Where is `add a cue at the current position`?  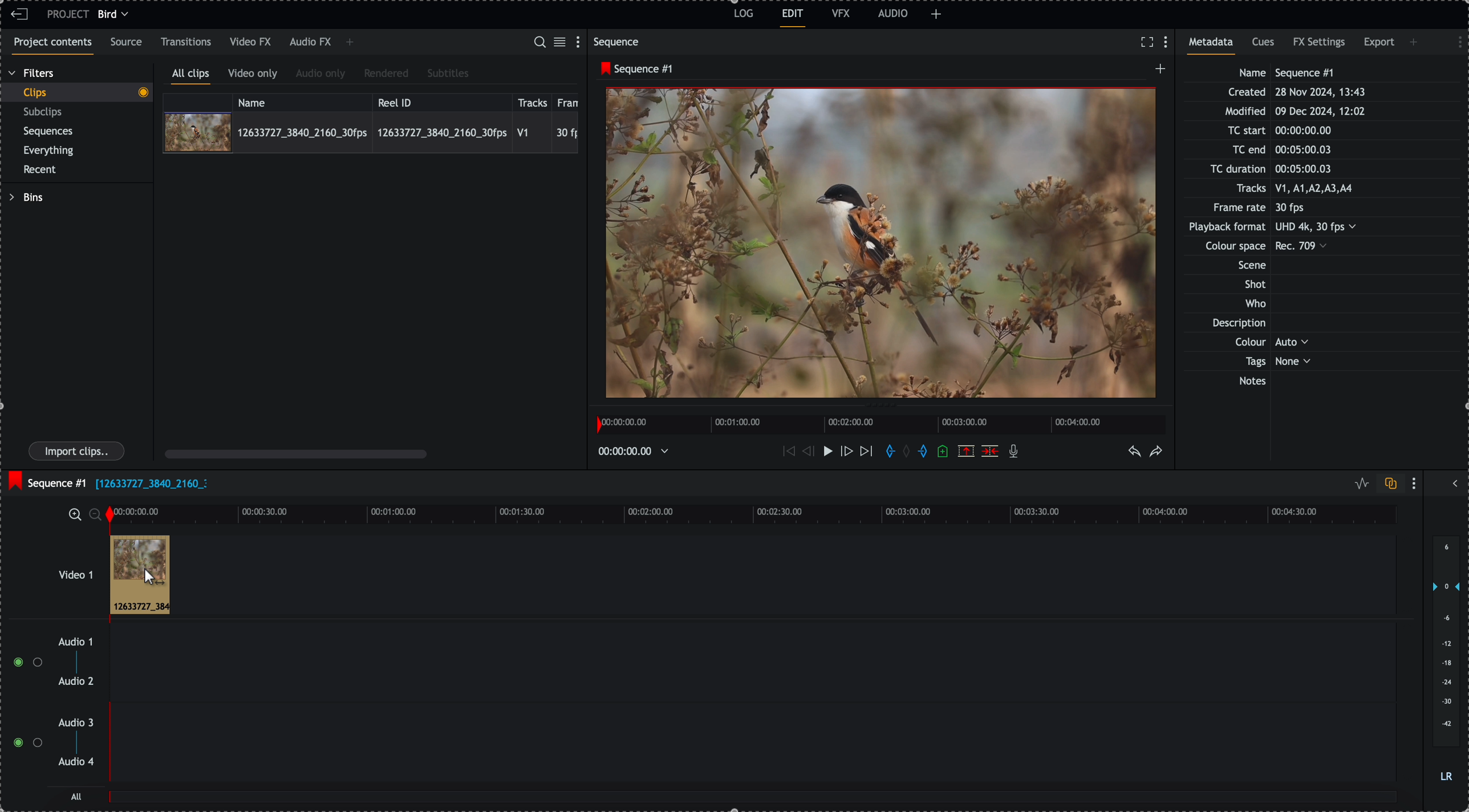
add a cue at the current position is located at coordinates (944, 452).